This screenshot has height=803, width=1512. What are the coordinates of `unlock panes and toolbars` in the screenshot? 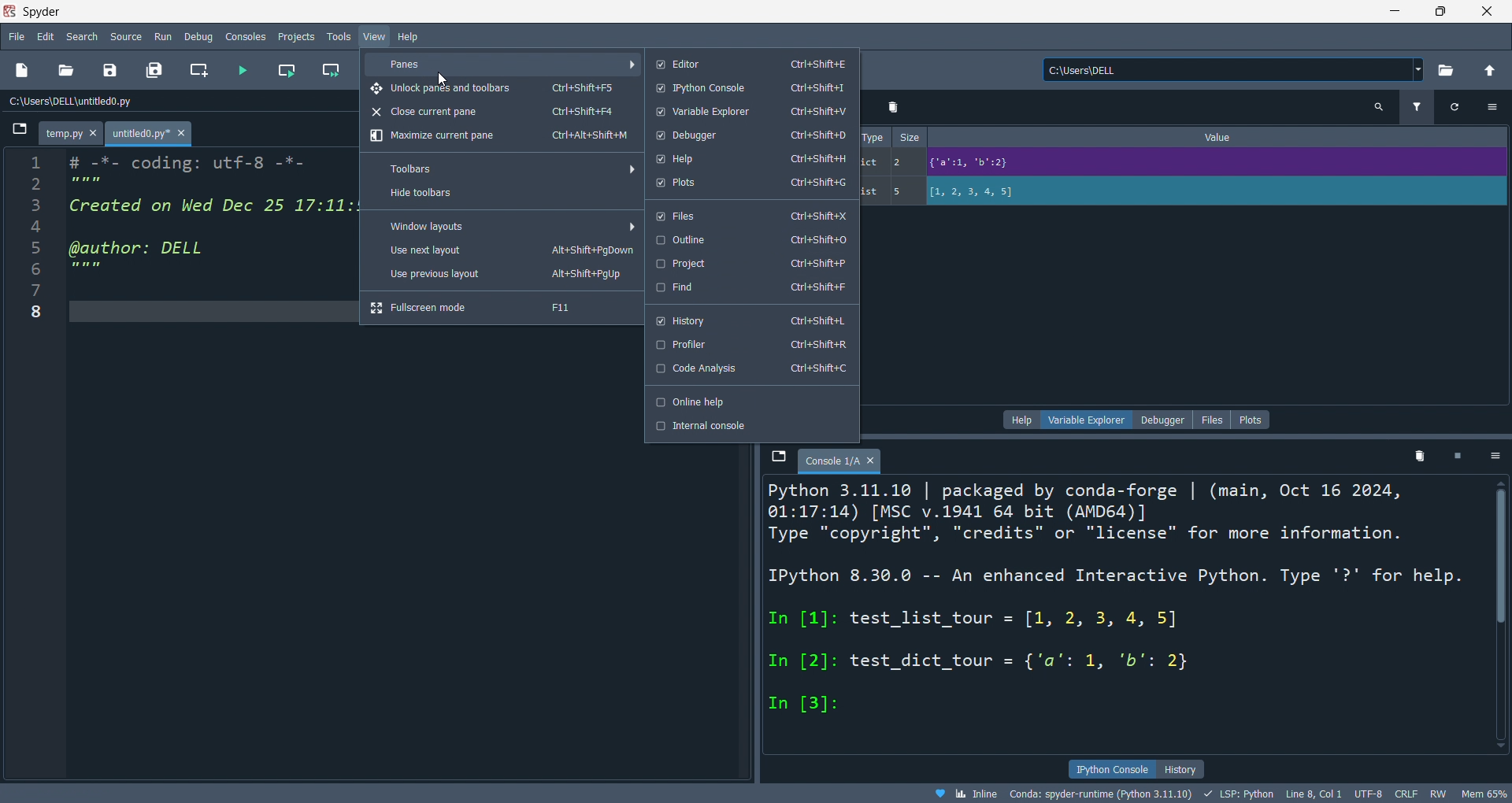 It's located at (502, 88).